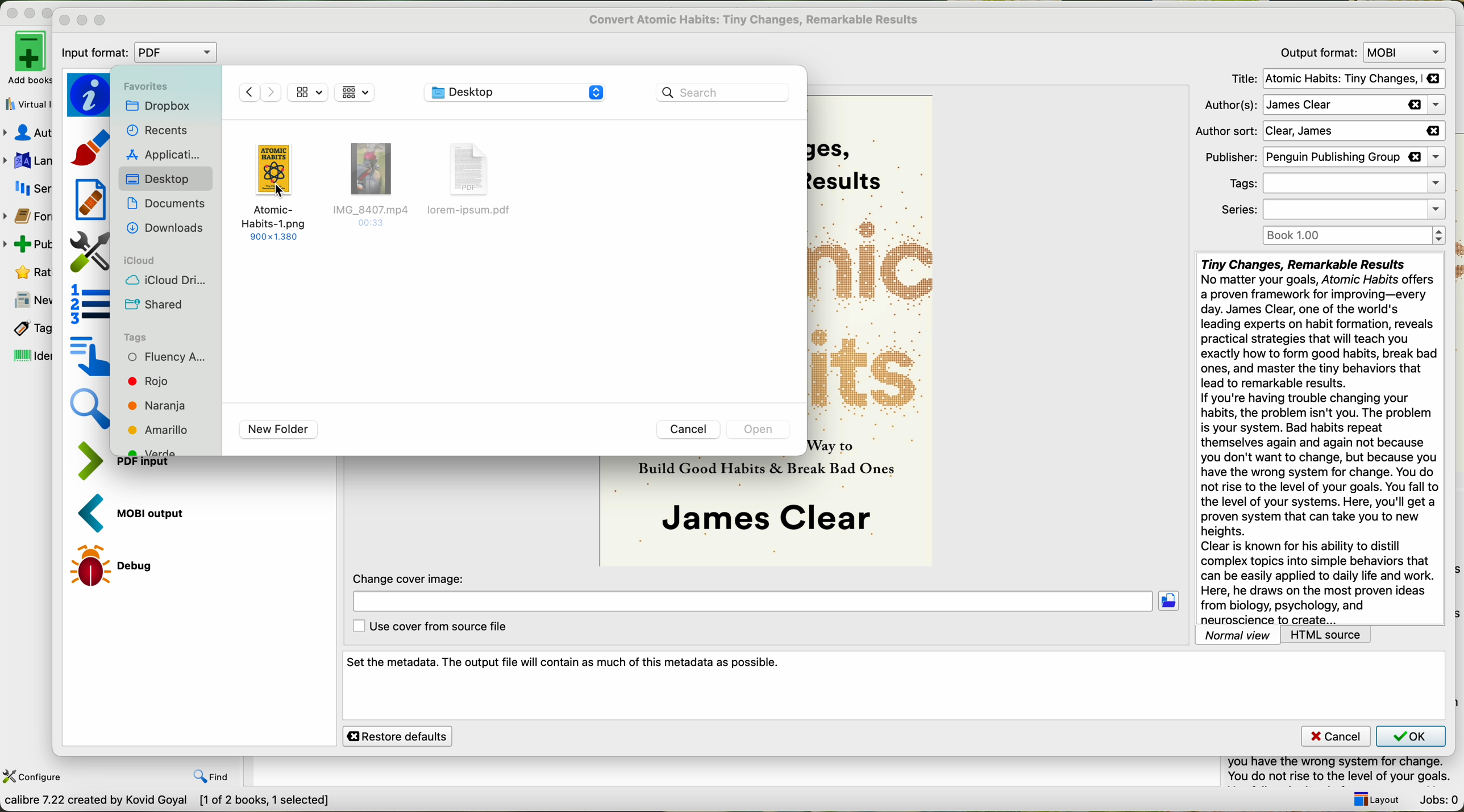 This screenshot has height=812, width=1464. I want to click on disable file, so click(477, 178).